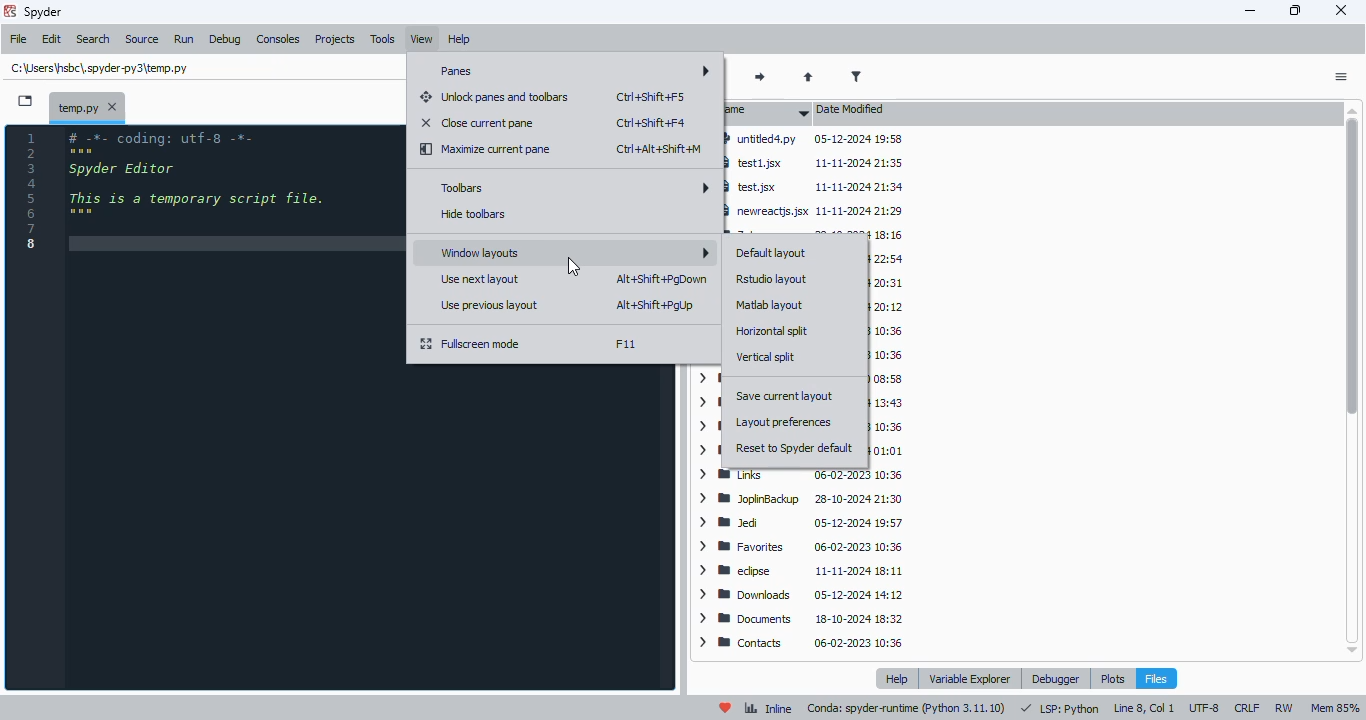 Image resolution: width=1366 pixels, height=720 pixels. What do you see at coordinates (1246, 707) in the screenshot?
I see `CRLF` at bounding box center [1246, 707].